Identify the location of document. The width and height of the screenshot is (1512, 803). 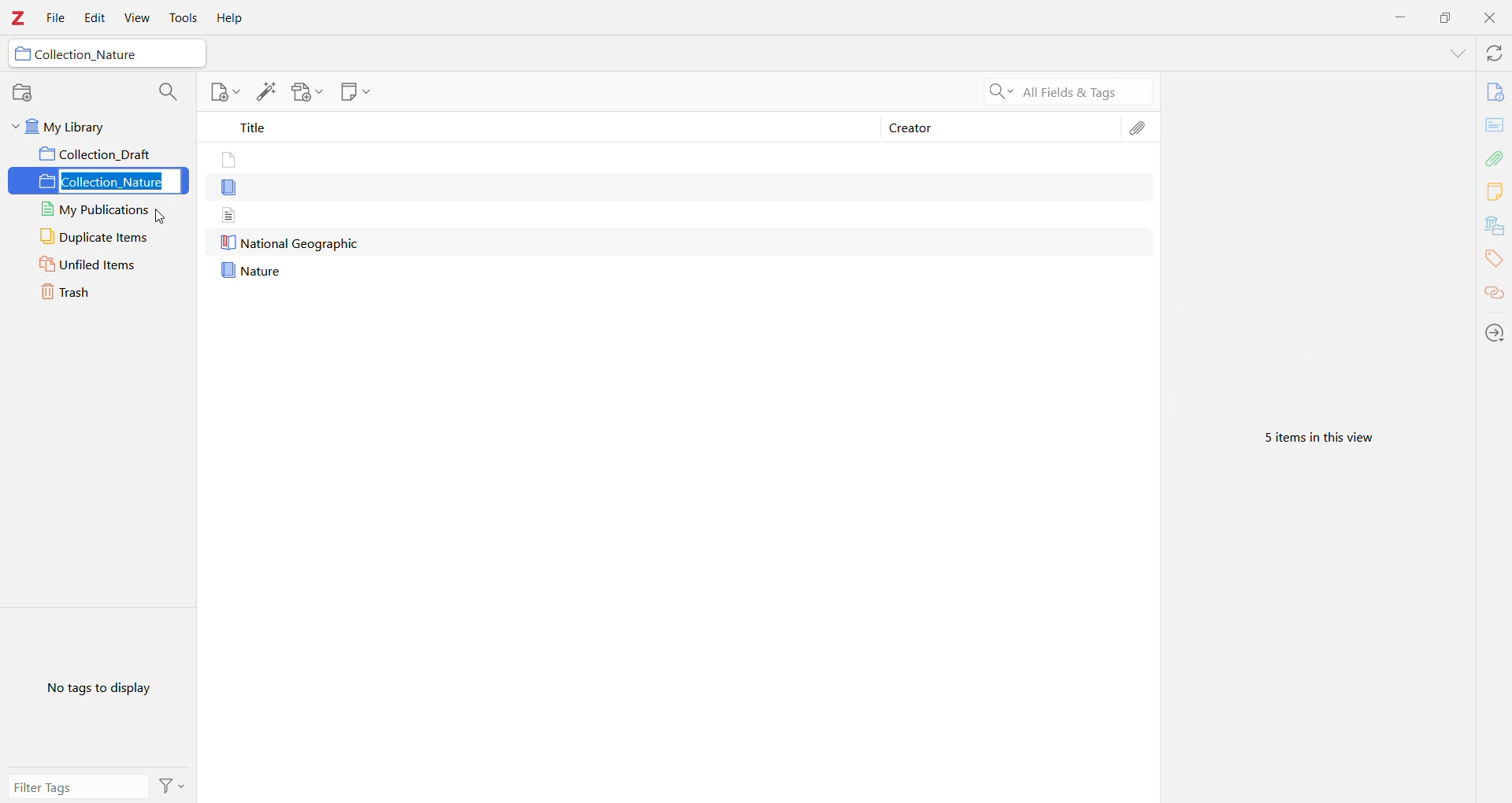
(236, 186).